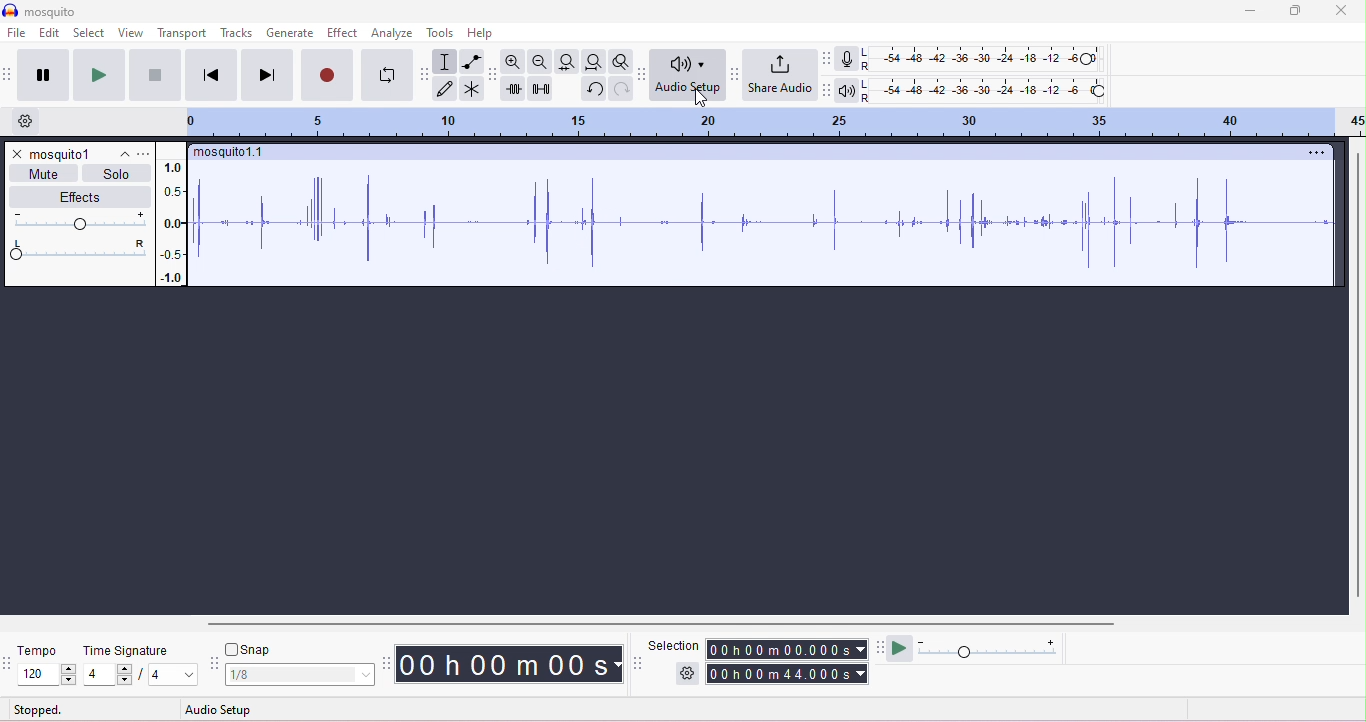  Describe the element at coordinates (97, 74) in the screenshot. I see `play` at that location.